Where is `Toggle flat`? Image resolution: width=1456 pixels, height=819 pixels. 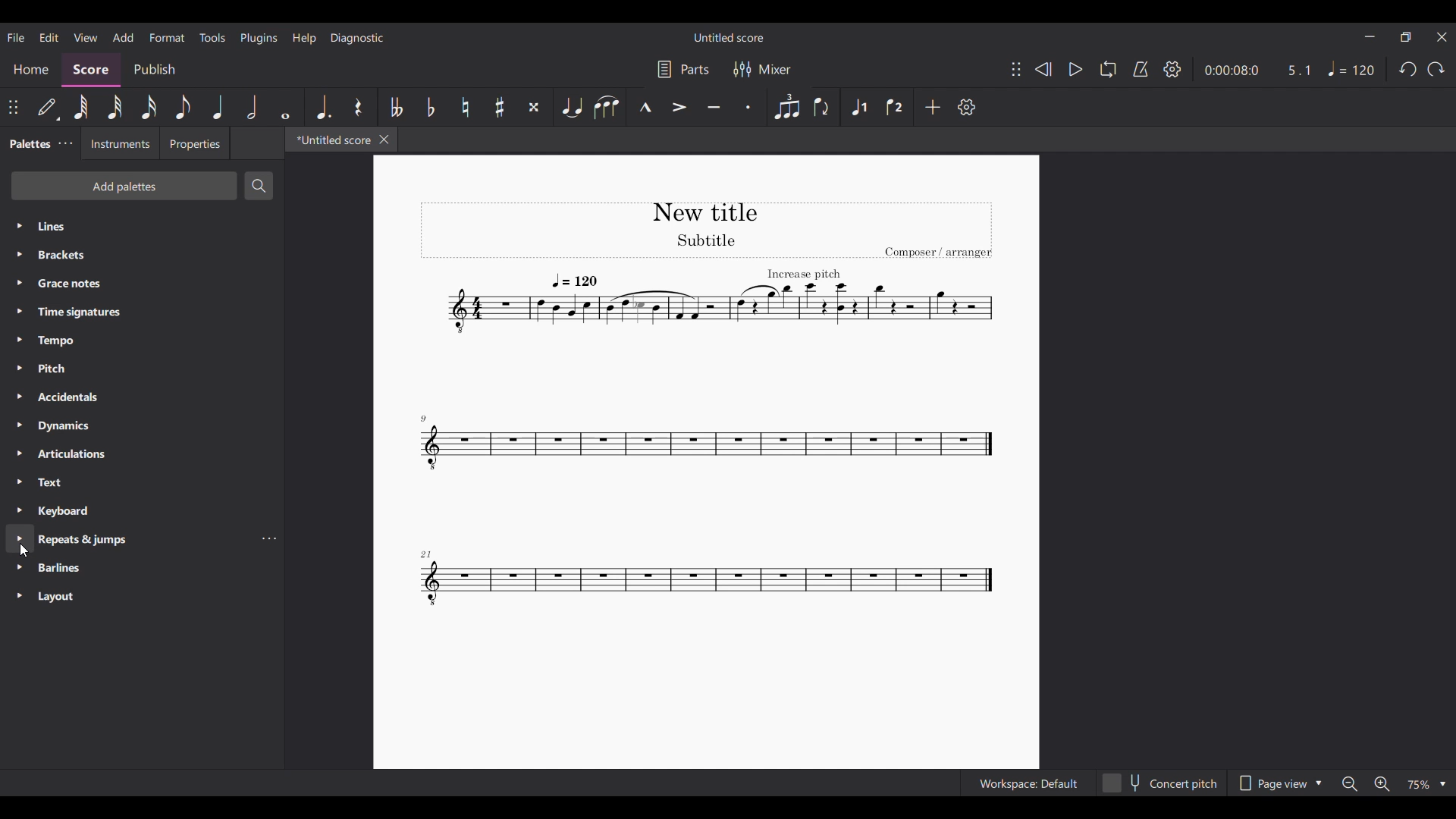
Toggle flat is located at coordinates (430, 107).